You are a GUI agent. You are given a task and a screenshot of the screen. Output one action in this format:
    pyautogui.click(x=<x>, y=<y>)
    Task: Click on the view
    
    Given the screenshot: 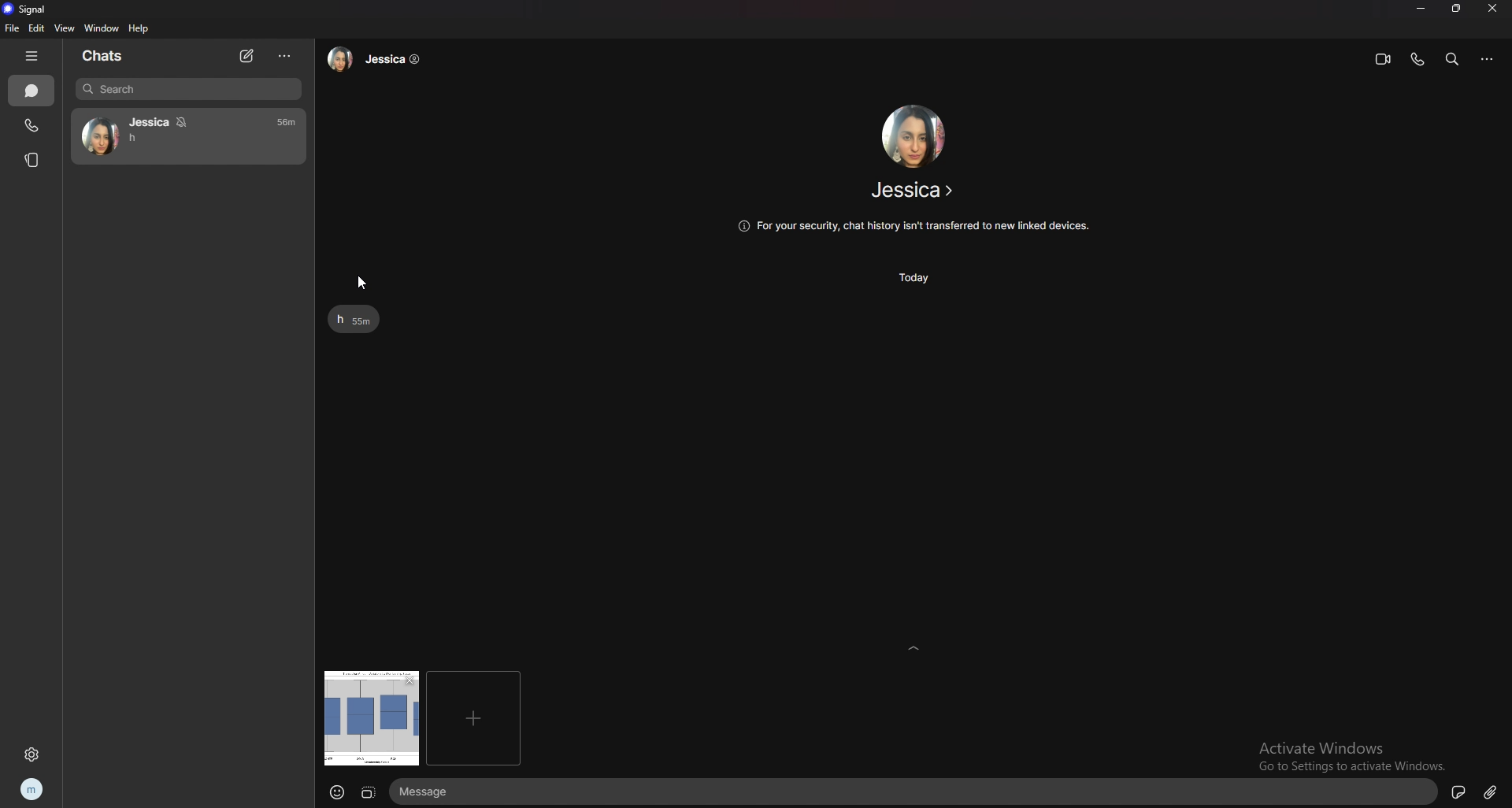 What is the action you would take?
    pyautogui.click(x=65, y=28)
    